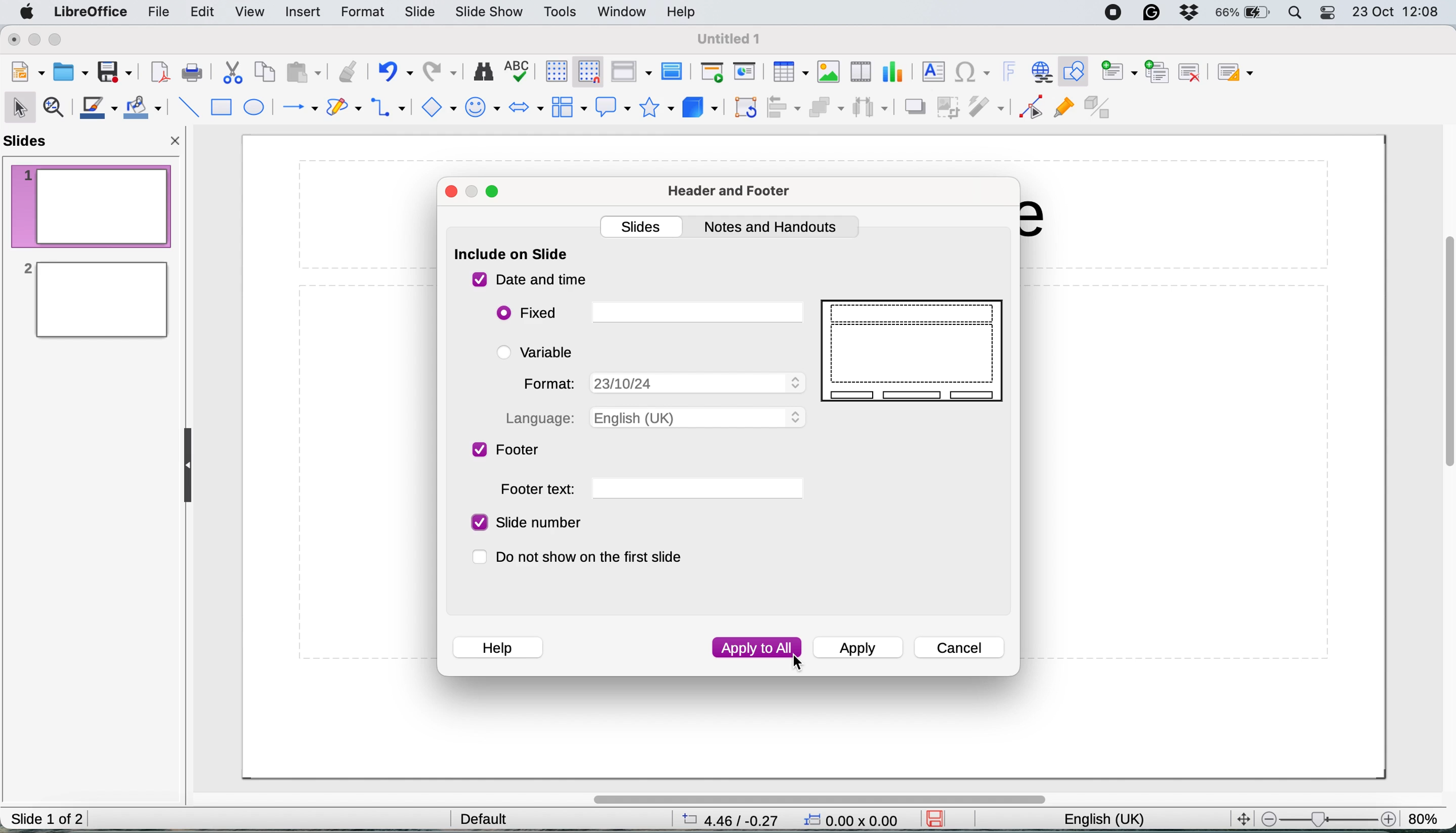  Describe the element at coordinates (1031, 110) in the screenshot. I see `toggle point edit mode` at that location.